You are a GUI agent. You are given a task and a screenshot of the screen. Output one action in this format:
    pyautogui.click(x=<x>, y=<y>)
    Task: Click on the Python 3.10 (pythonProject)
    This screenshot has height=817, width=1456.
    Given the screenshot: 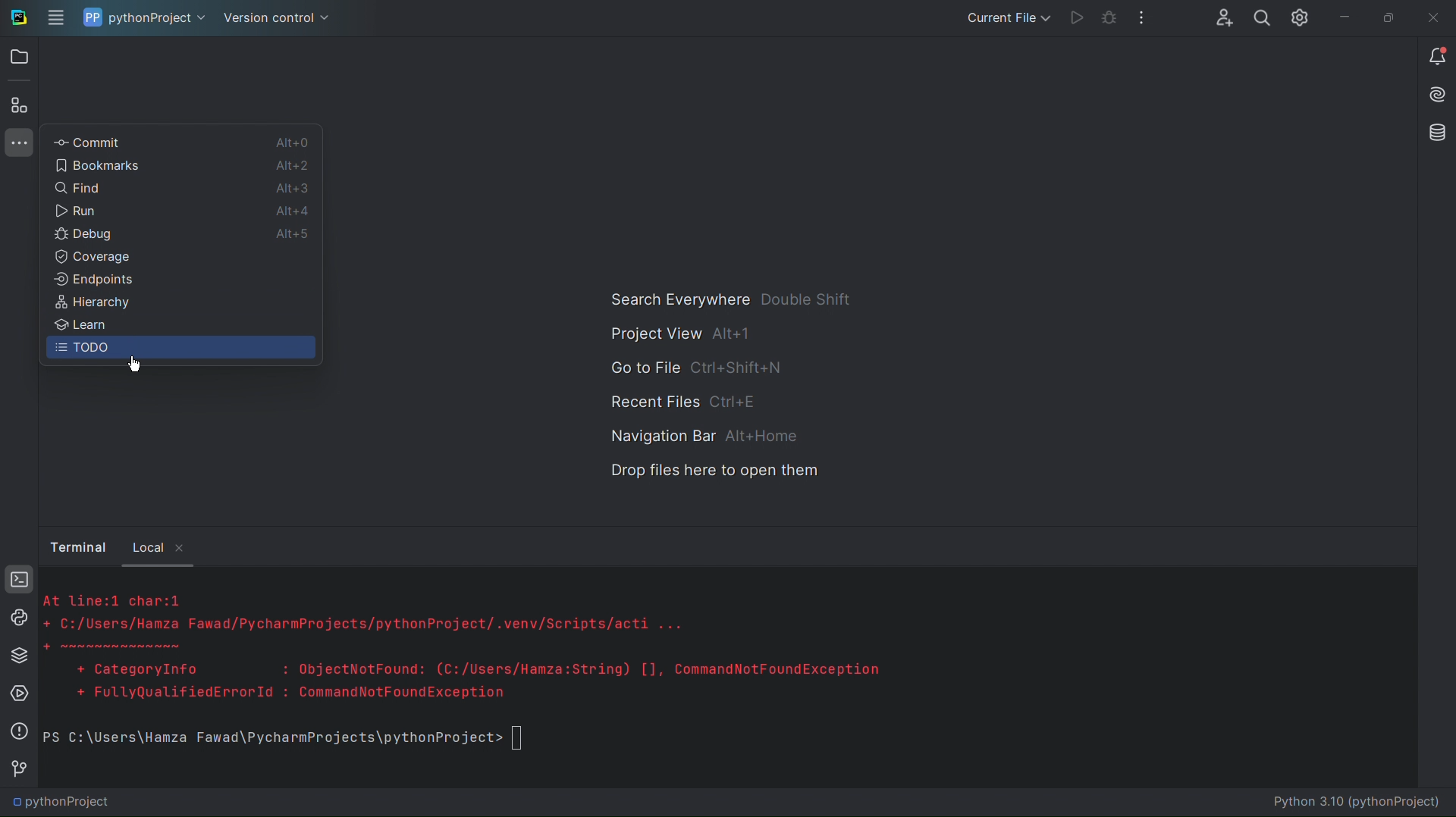 What is the action you would take?
    pyautogui.click(x=1362, y=803)
    